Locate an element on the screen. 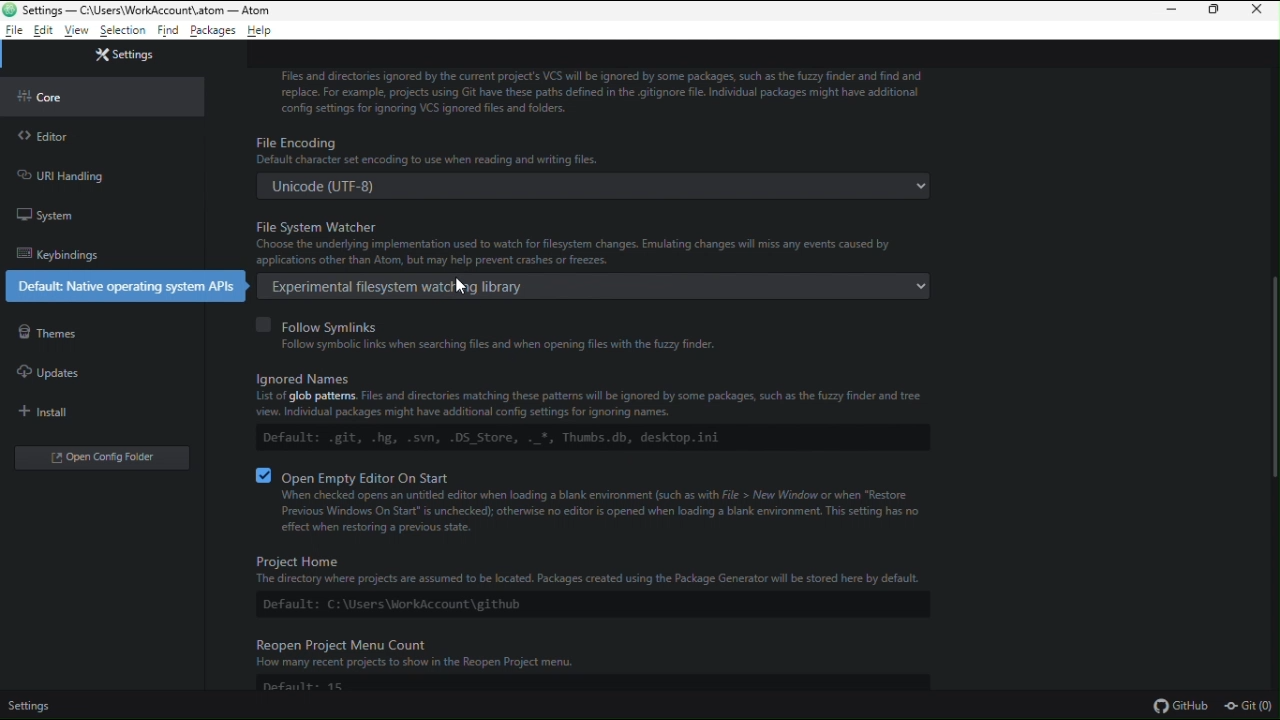 The image size is (1280, 720). Minimize is located at coordinates (1168, 11).